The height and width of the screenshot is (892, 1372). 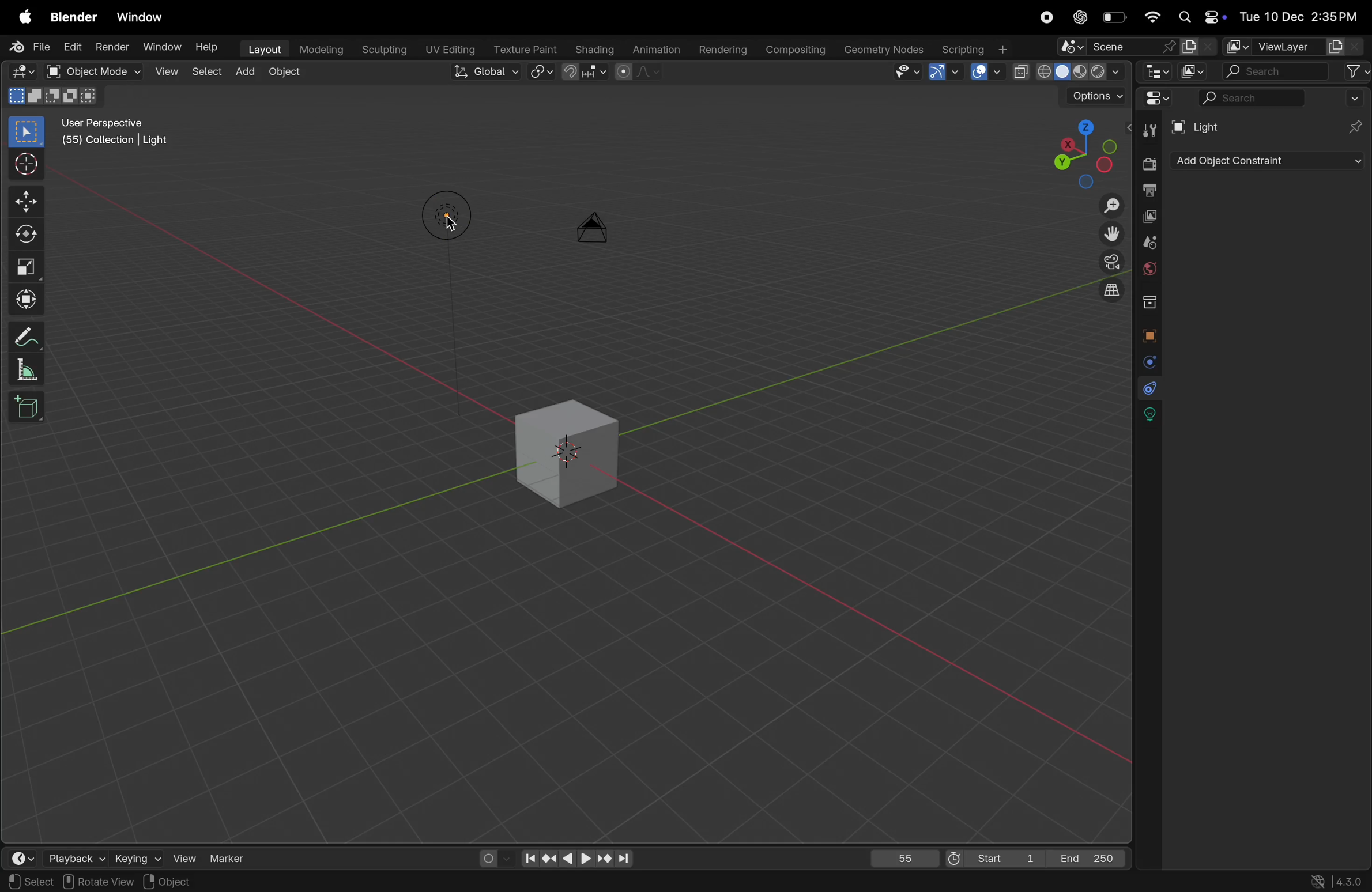 I want to click on scripting, so click(x=976, y=50).